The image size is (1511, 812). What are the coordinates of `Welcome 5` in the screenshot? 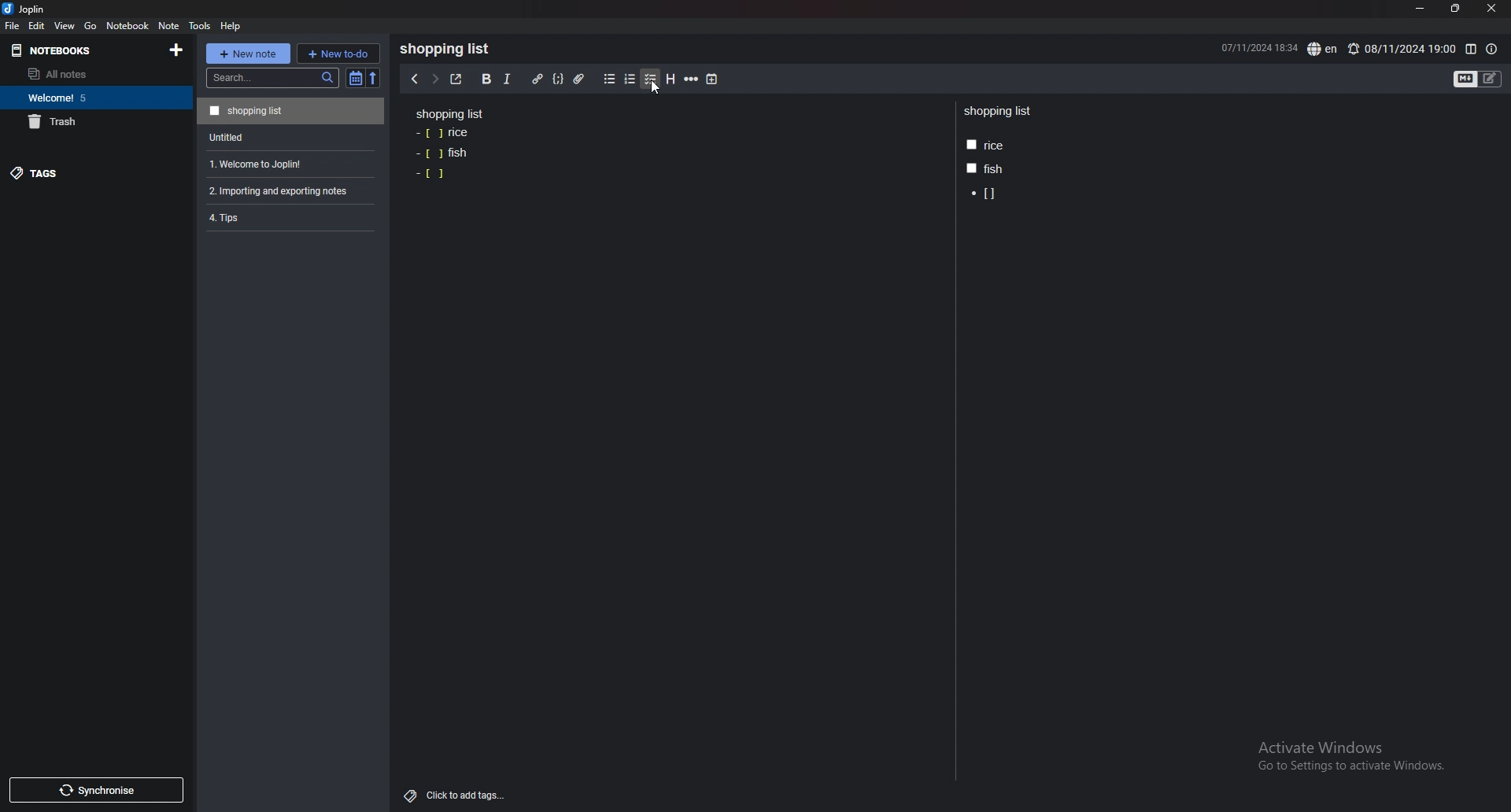 It's located at (92, 97).